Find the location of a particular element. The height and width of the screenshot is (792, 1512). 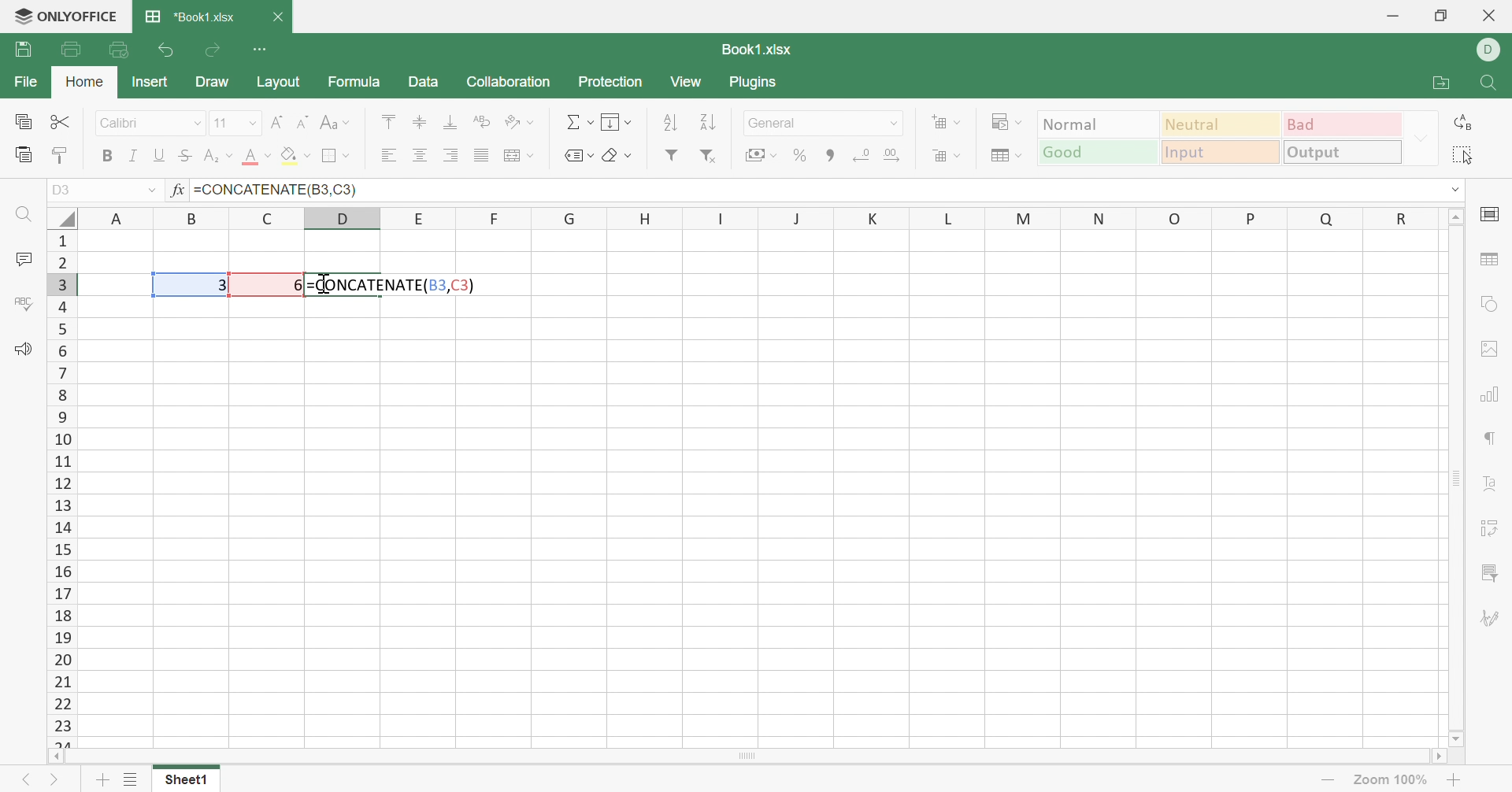

Home is located at coordinates (84, 80).